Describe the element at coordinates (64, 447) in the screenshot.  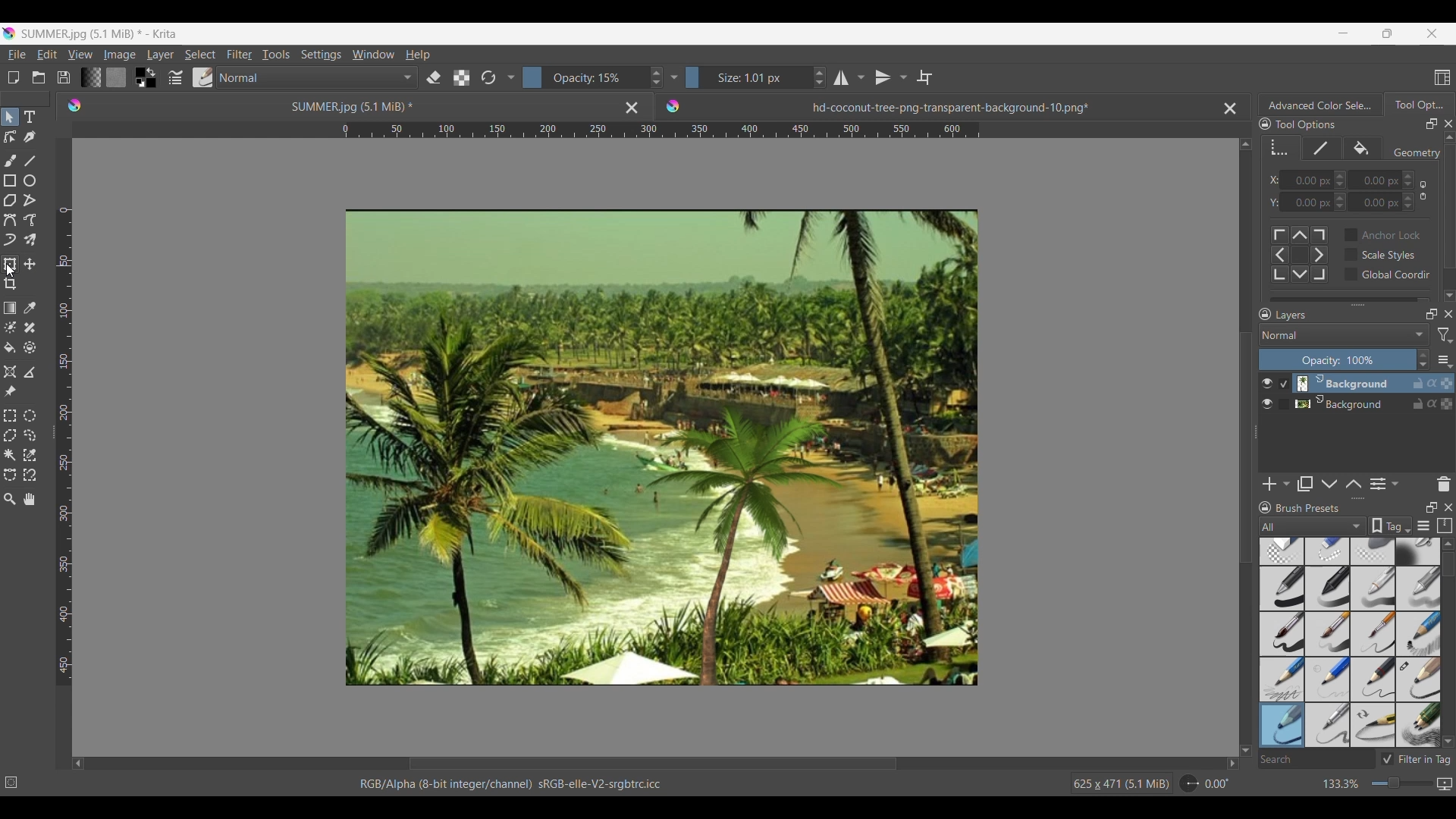
I see `Vertical ruler` at that location.